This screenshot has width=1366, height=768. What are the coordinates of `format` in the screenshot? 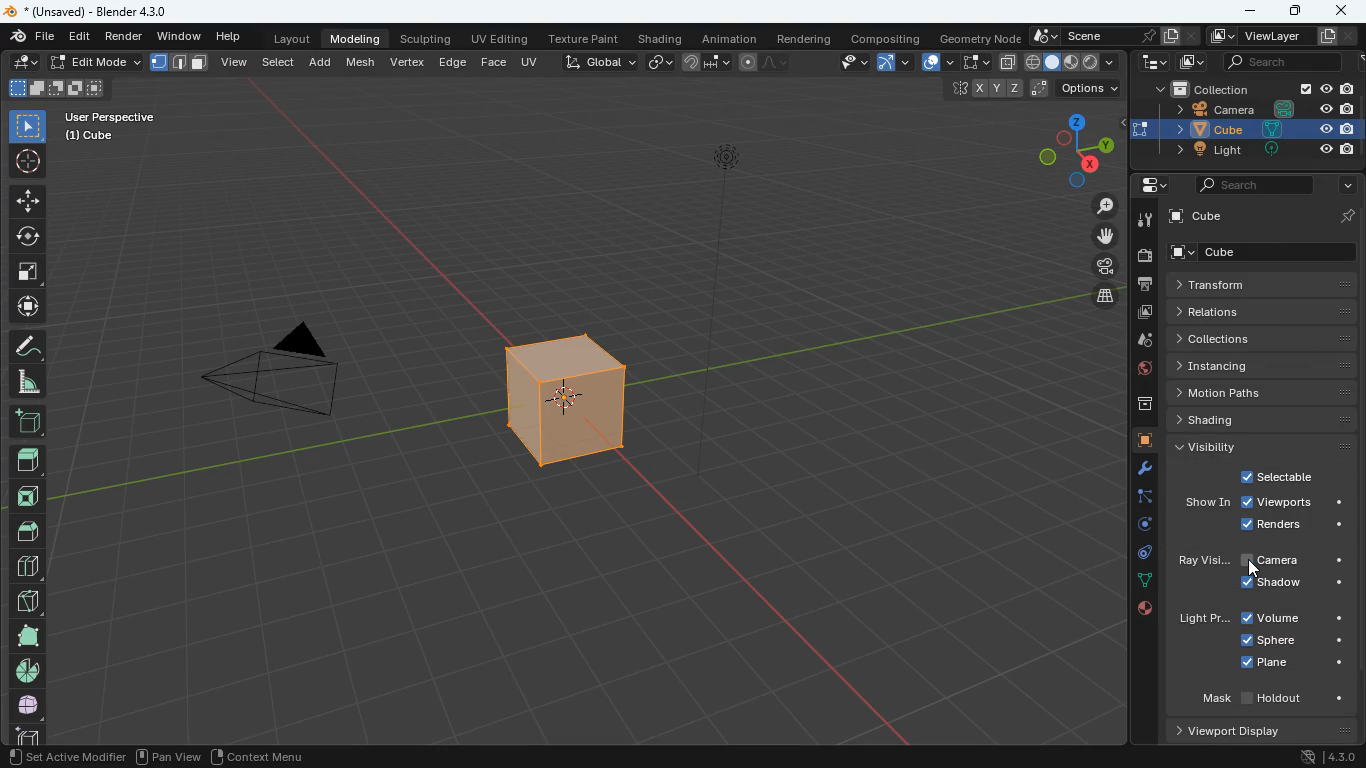 It's located at (184, 65).